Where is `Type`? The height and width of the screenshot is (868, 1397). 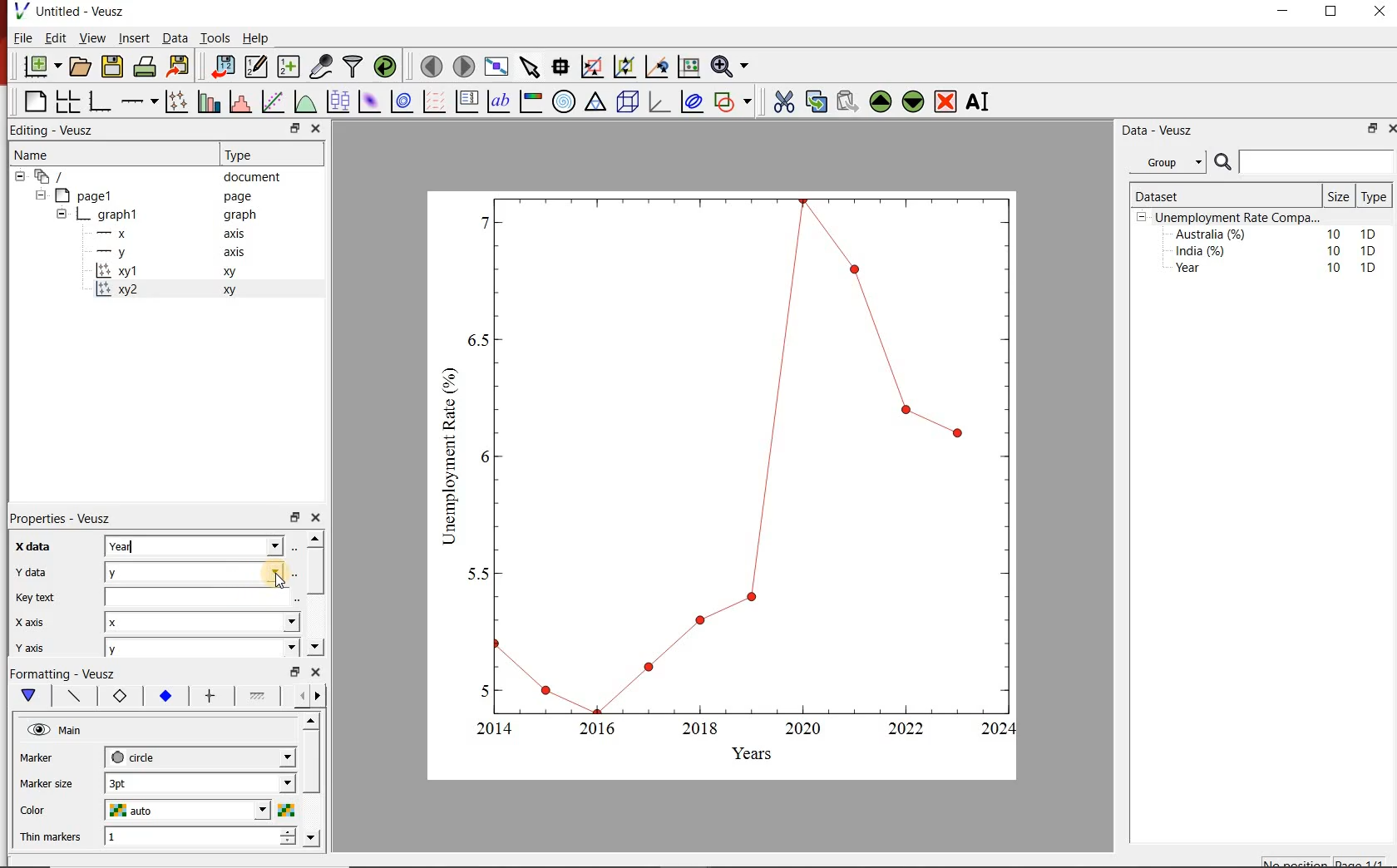
Type is located at coordinates (1373, 197).